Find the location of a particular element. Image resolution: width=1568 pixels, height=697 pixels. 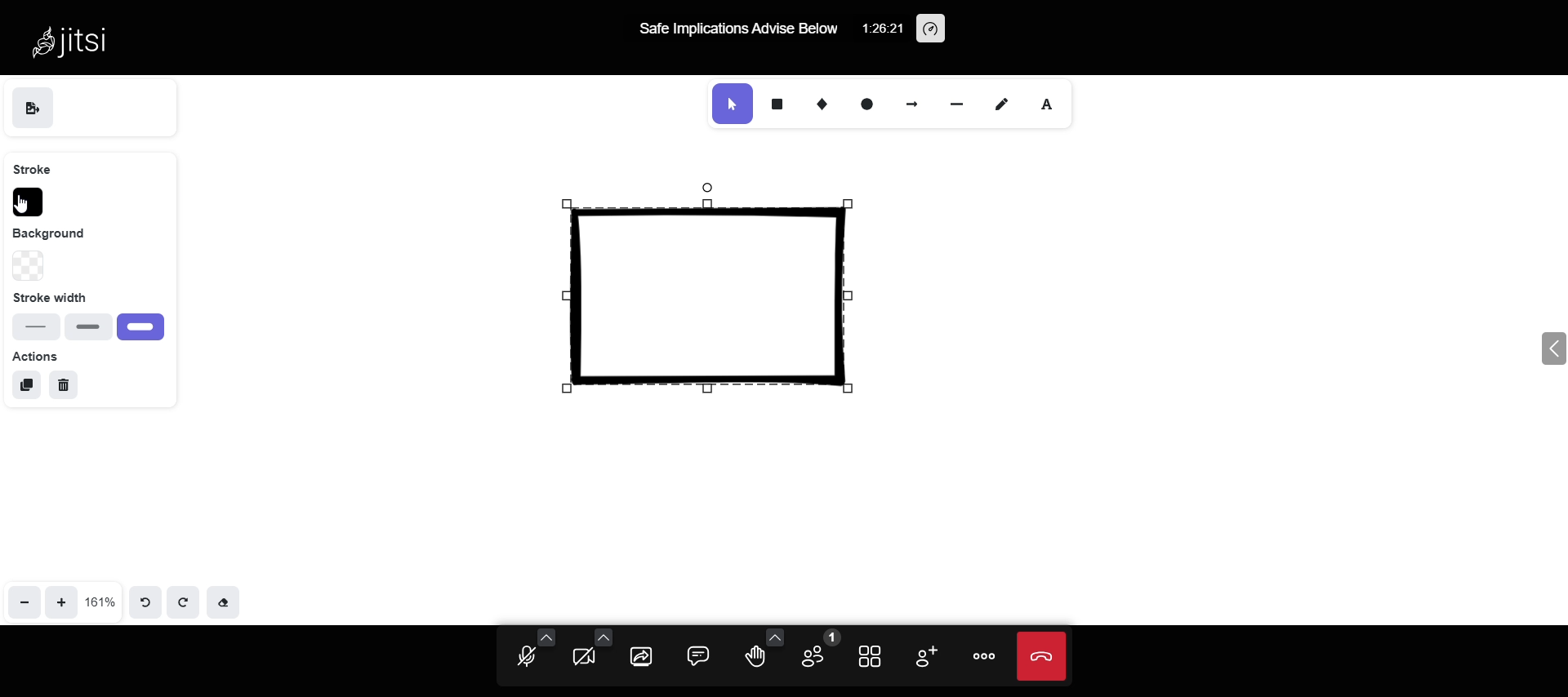

redo is located at coordinates (185, 601).